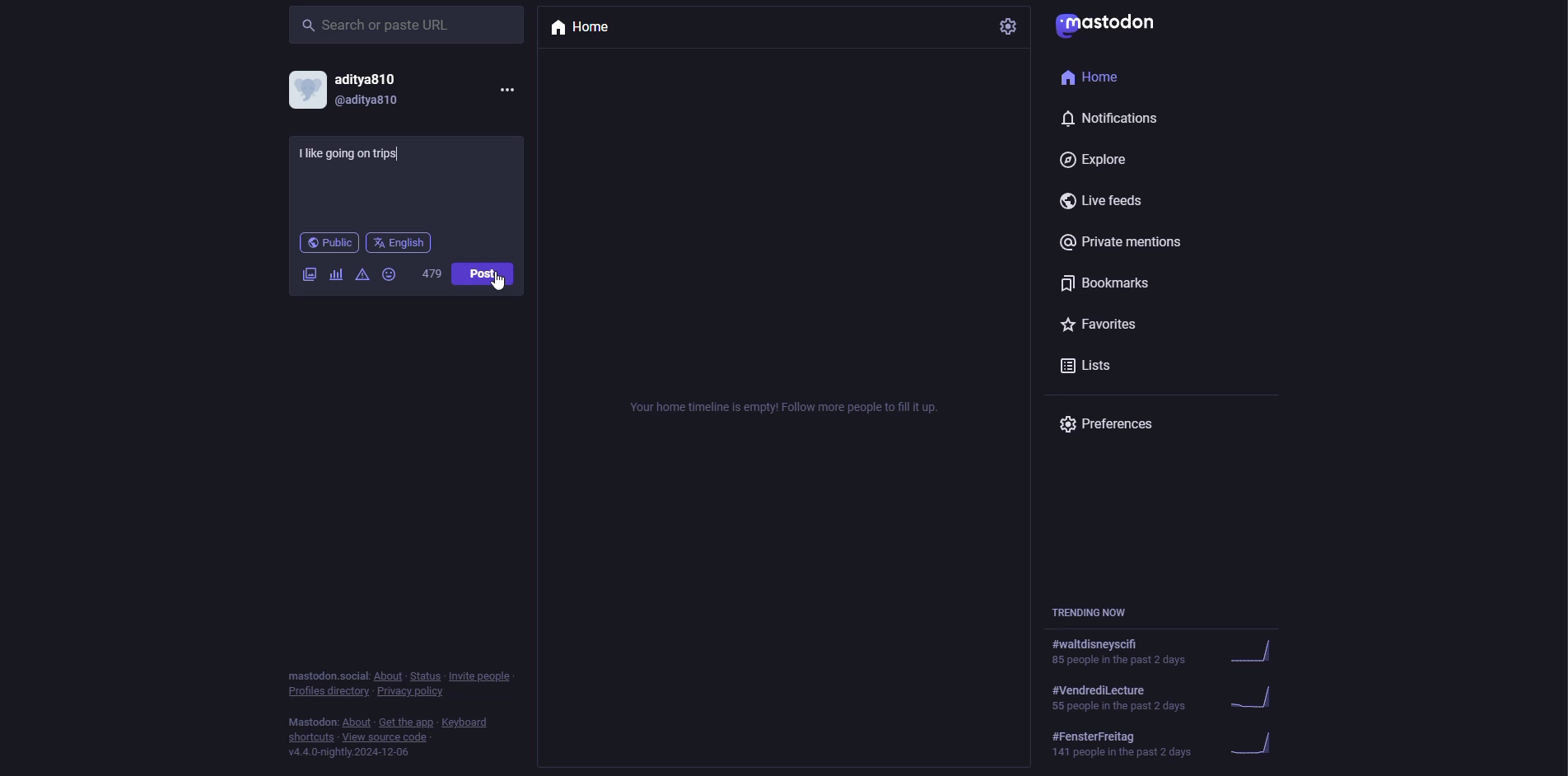 This screenshot has height=776, width=1568. I want to click on bookmarks, so click(1107, 285).